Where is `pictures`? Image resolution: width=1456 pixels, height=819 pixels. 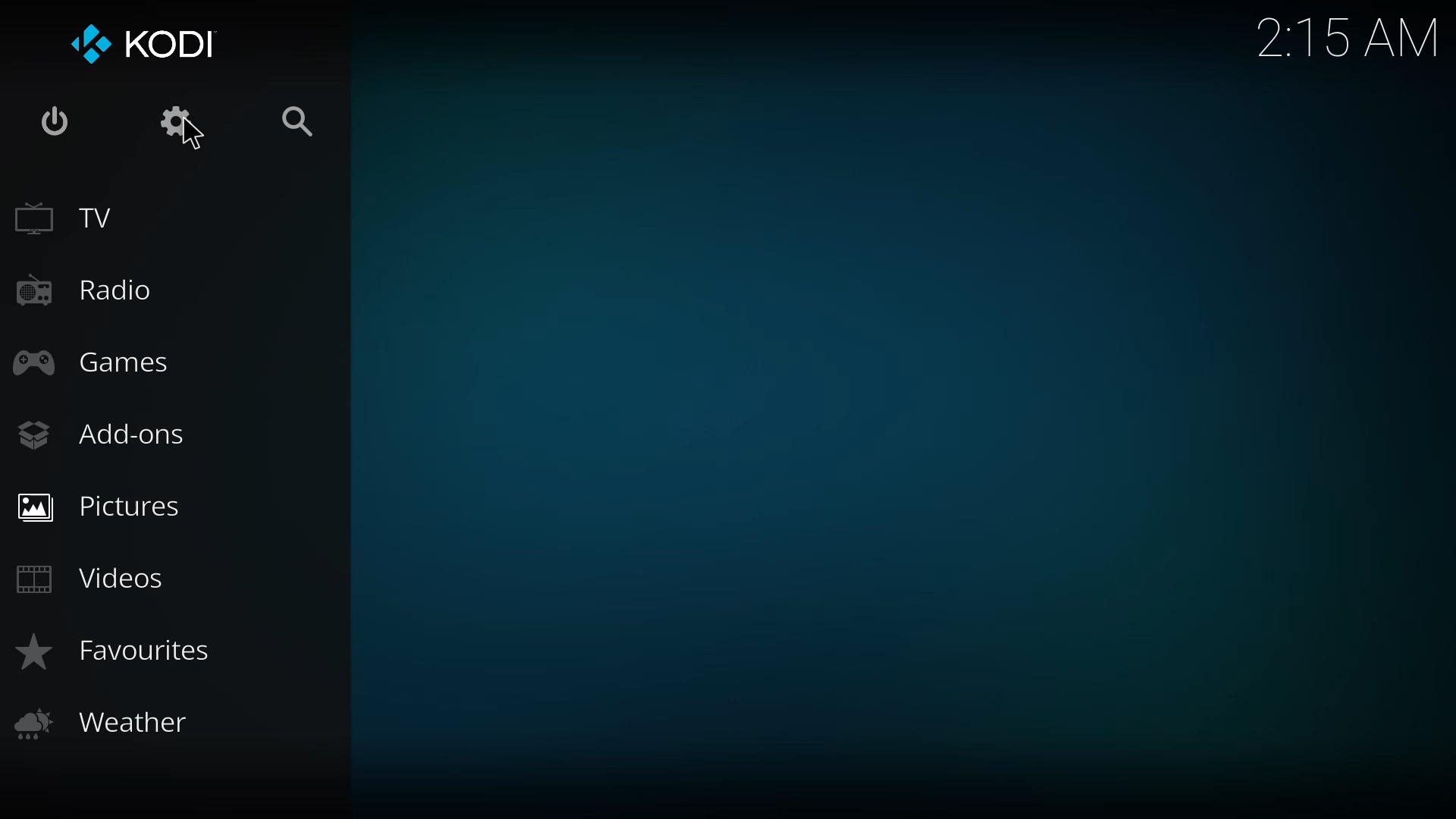 pictures is located at coordinates (101, 504).